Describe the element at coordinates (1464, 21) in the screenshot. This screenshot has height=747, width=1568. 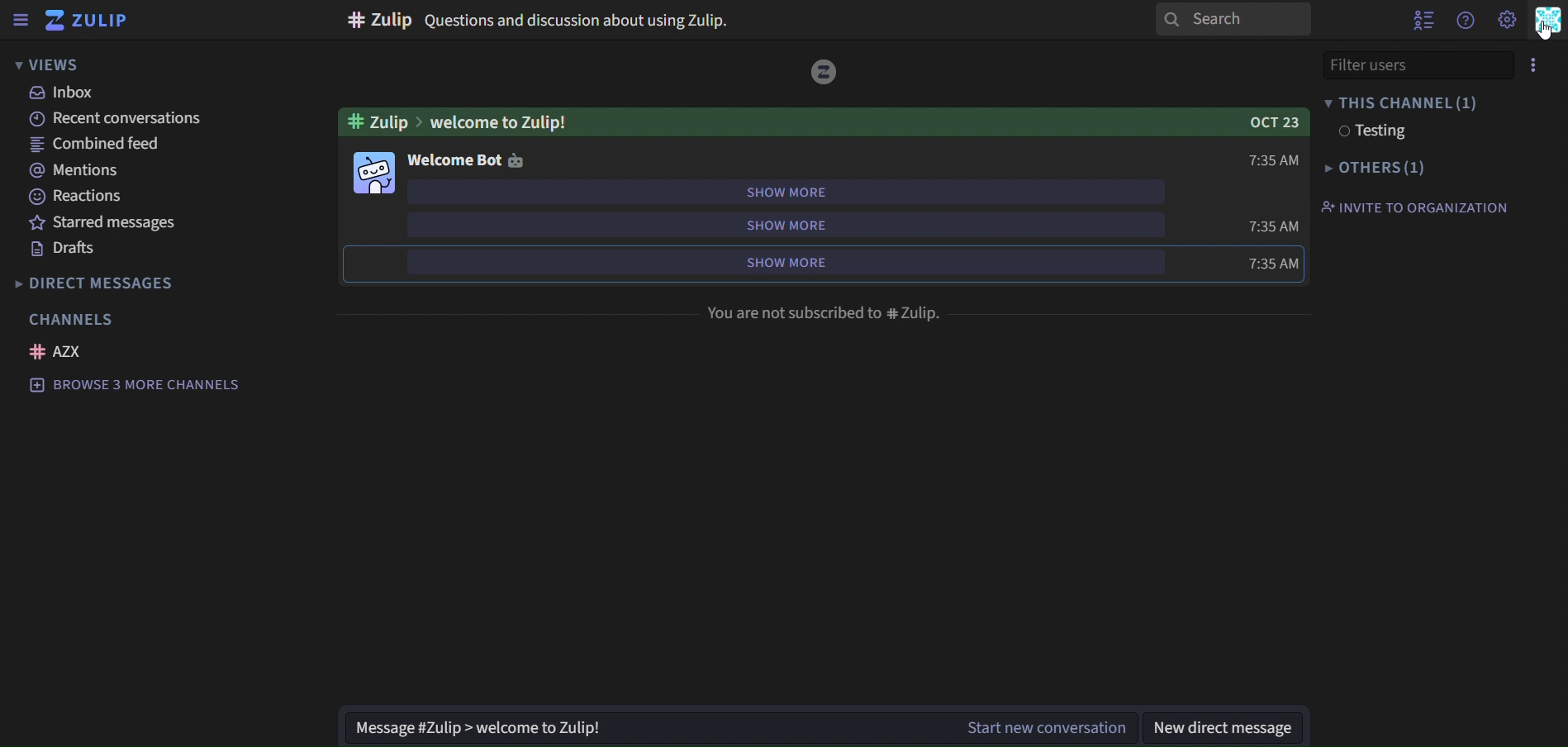
I see `get help` at that location.